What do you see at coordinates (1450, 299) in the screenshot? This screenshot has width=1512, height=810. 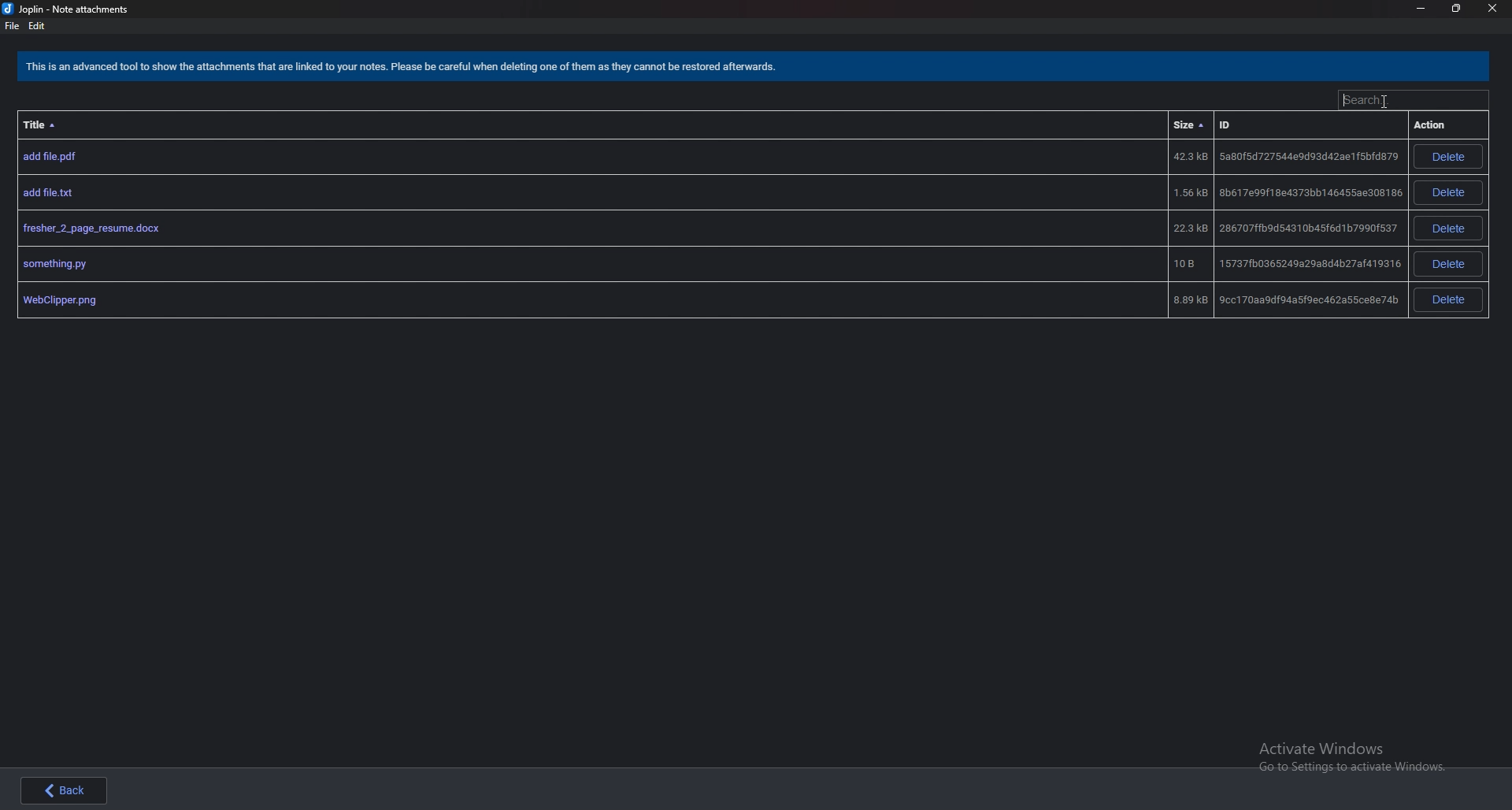 I see `delete` at bounding box center [1450, 299].